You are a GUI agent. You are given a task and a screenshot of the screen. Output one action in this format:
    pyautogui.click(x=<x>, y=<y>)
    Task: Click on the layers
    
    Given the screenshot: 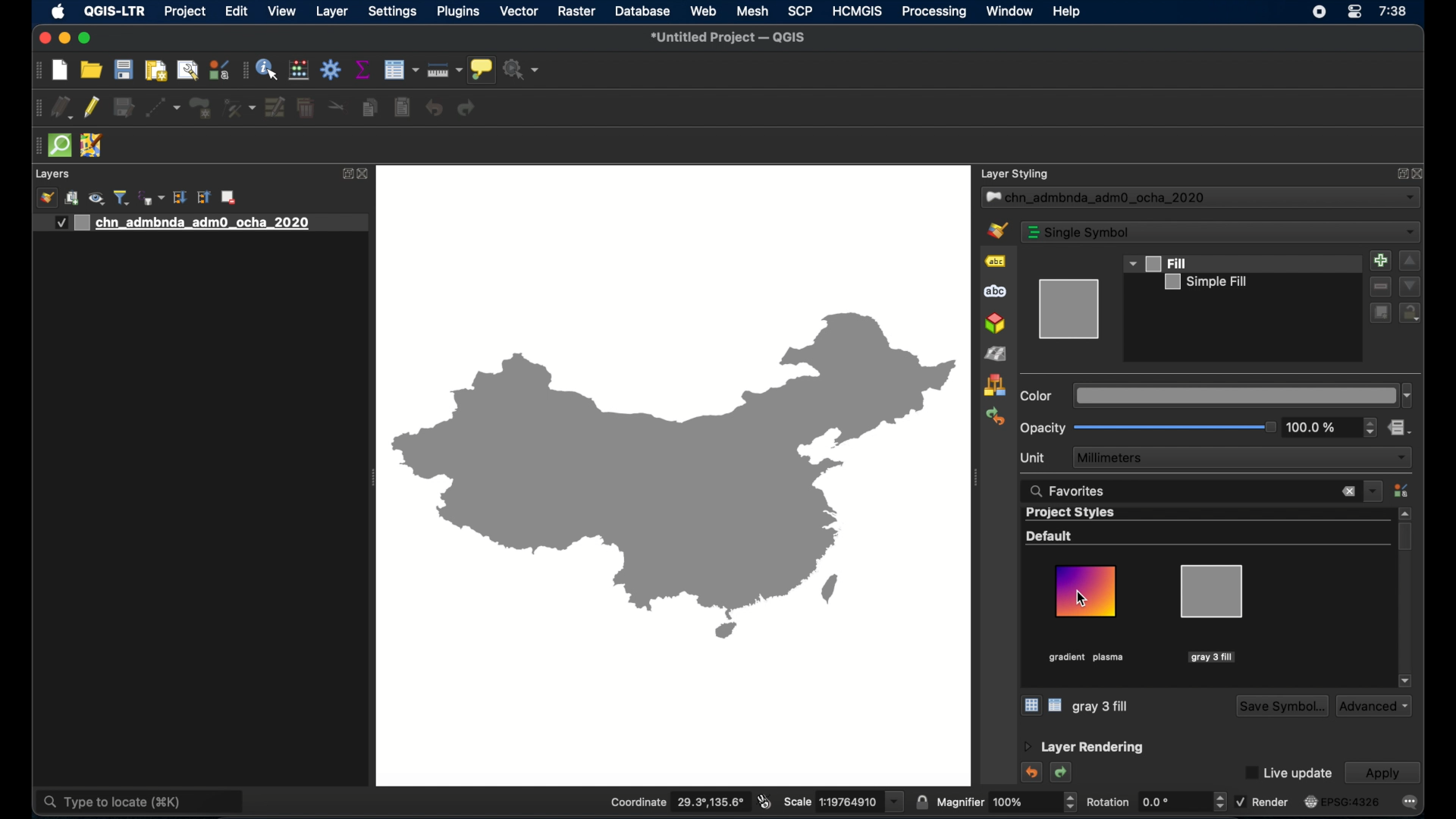 What is the action you would take?
    pyautogui.click(x=52, y=174)
    